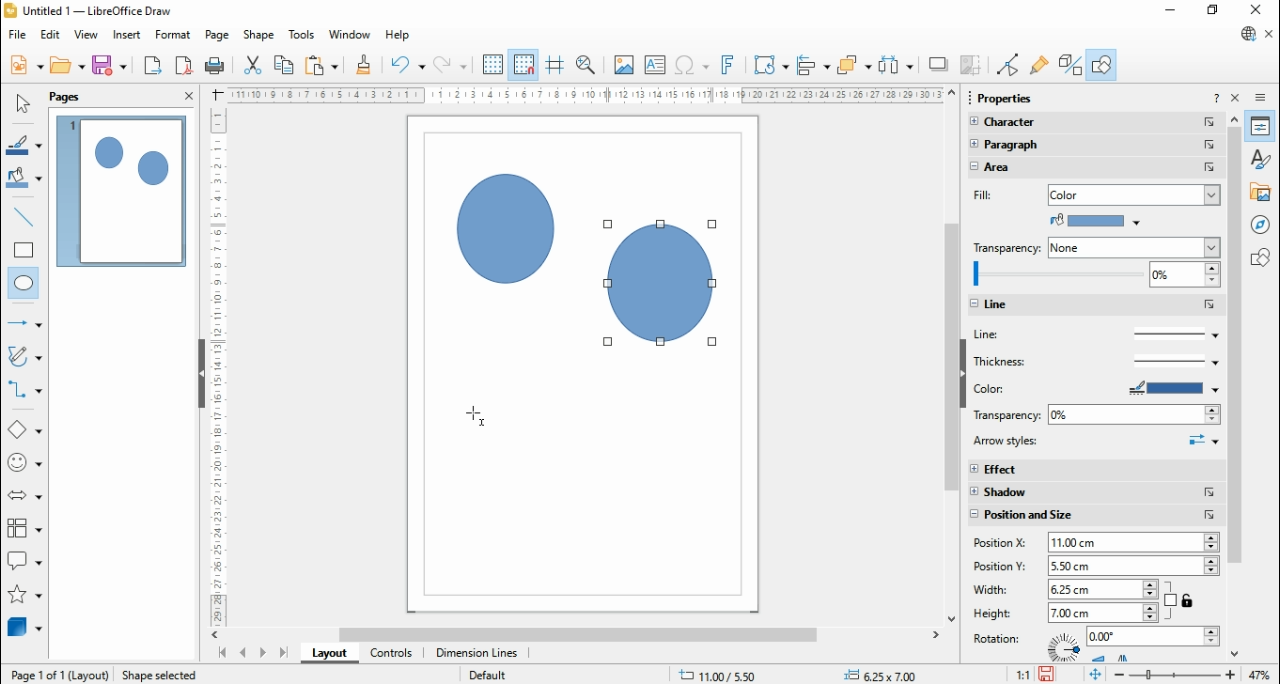 This screenshot has width=1280, height=684. Describe the element at coordinates (303, 36) in the screenshot. I see `tools` at that location.